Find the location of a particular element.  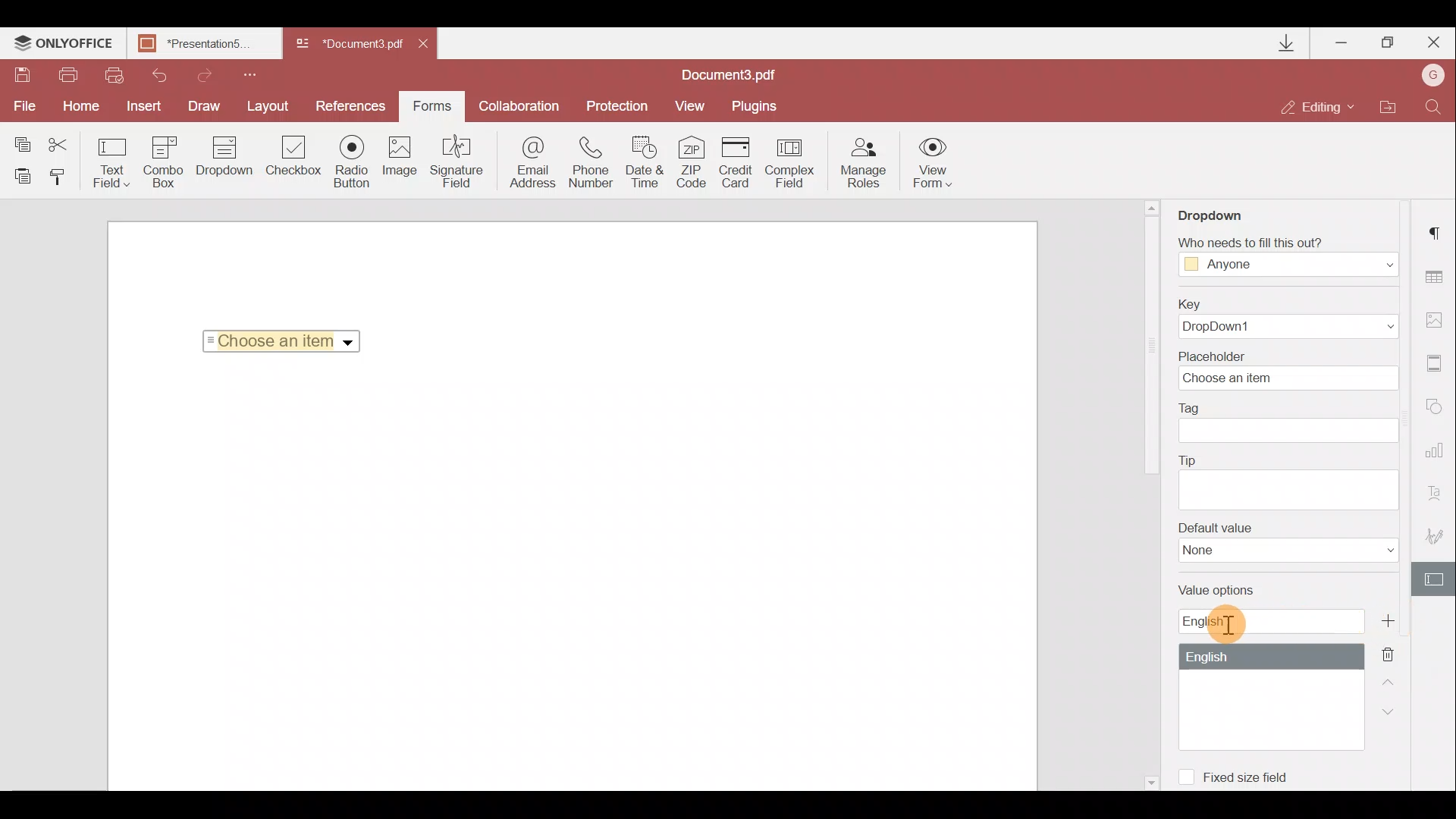

Plugins is located at coordinates (757, 104).